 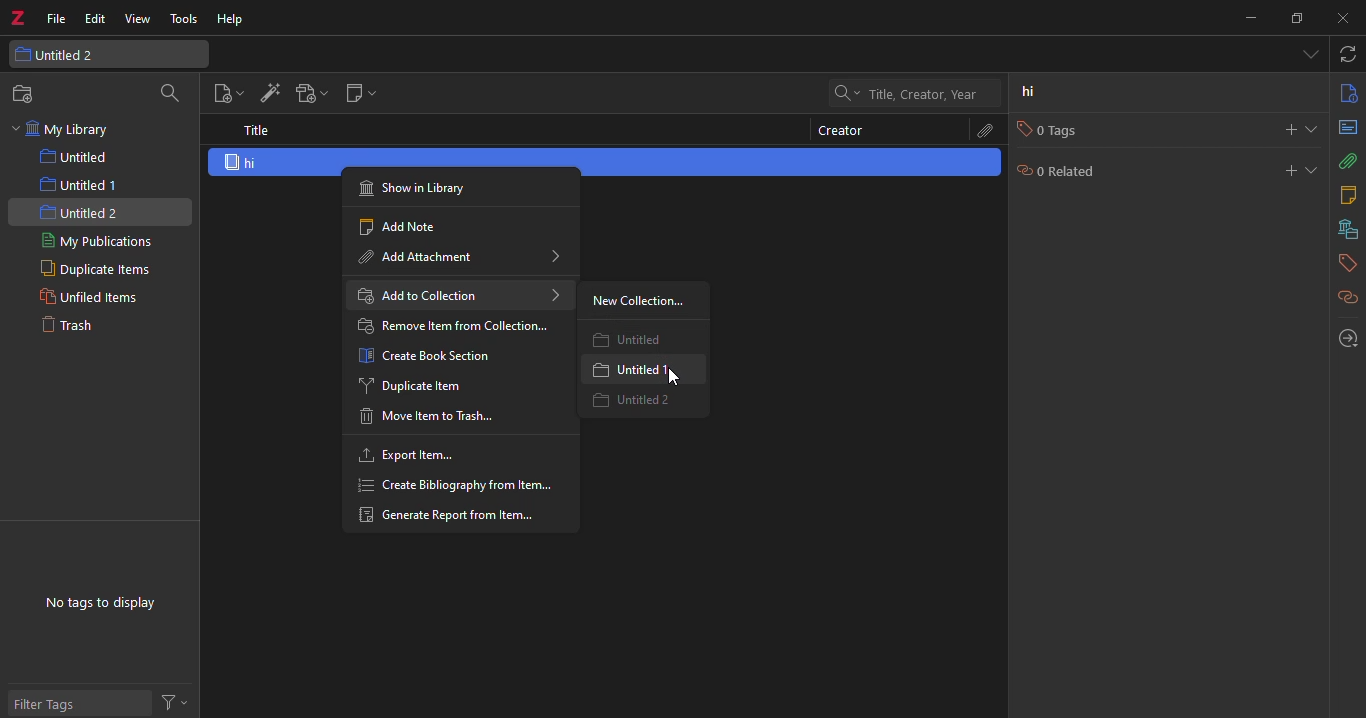 I want to click on add, so click(x=1284, y=128).